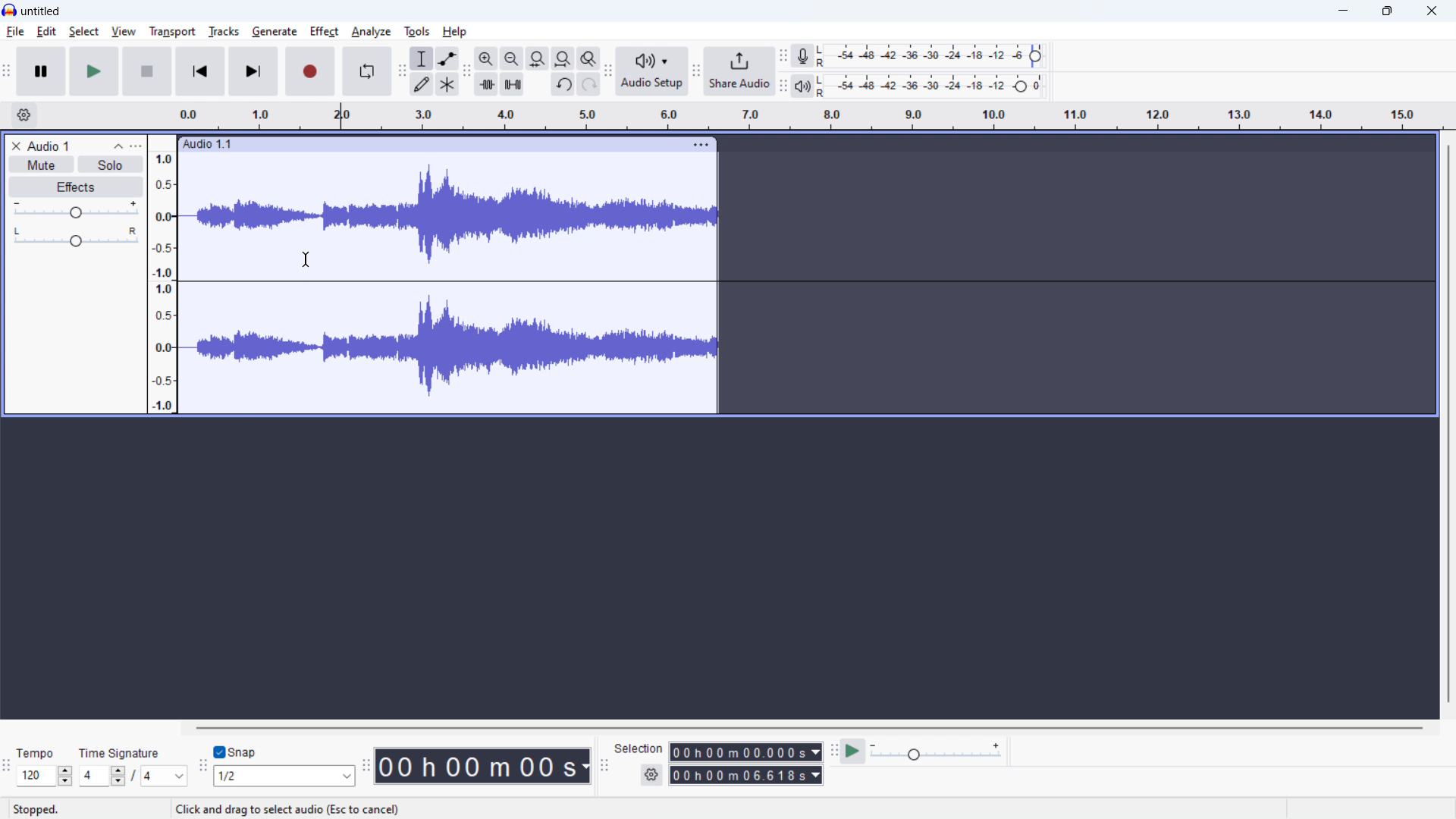 This screenshot has height=819, width=1456. I want to click on share audio toolbar, so click(696, 73).